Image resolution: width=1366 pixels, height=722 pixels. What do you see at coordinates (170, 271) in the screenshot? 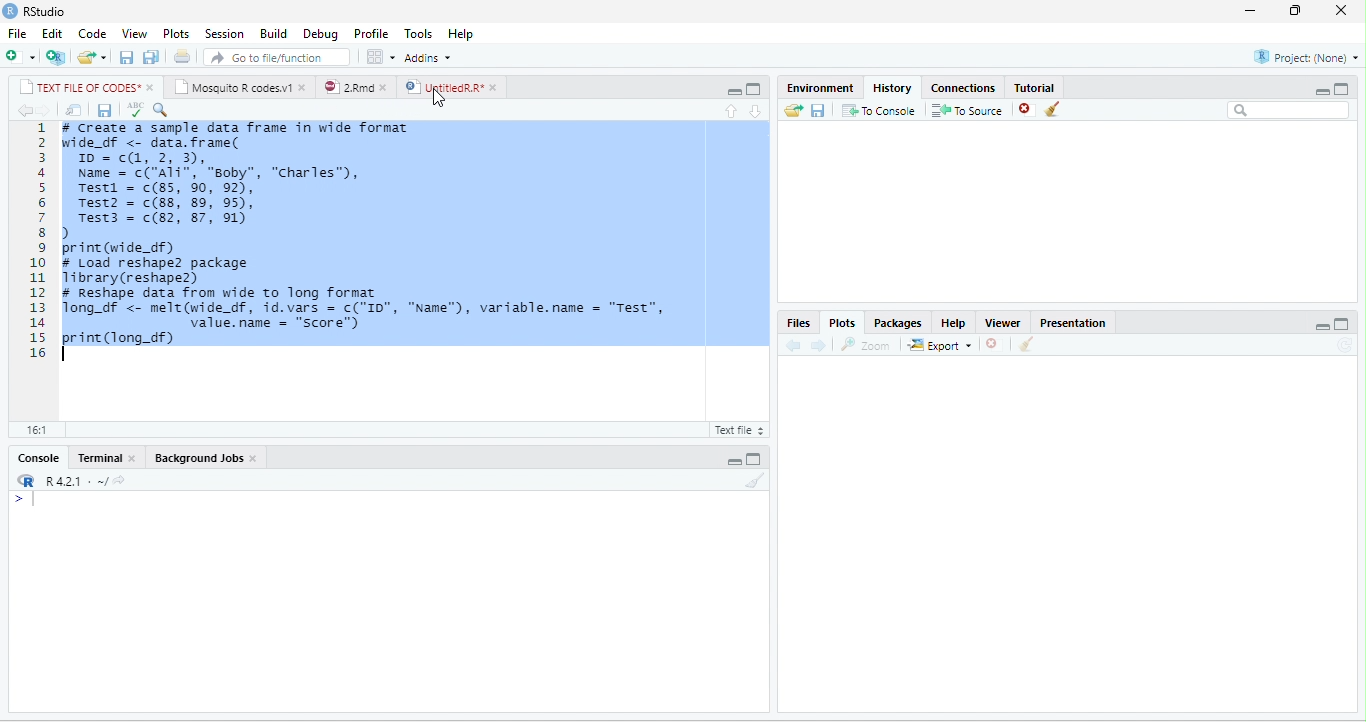
I see `# Load reshape2 package Library(reshape2)` at bounding box center [170, 271].